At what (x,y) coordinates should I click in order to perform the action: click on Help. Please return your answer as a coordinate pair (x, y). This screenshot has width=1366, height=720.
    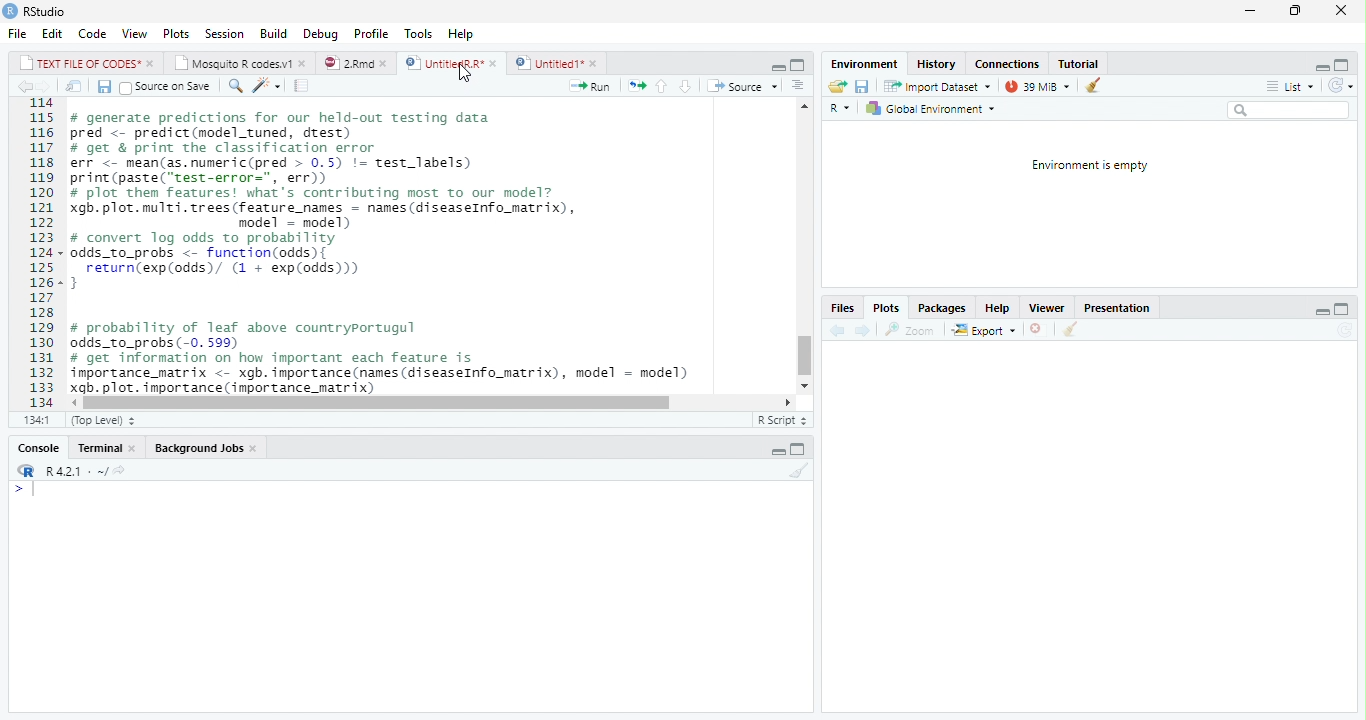
    Looking at the image, I should click on (463, 36).